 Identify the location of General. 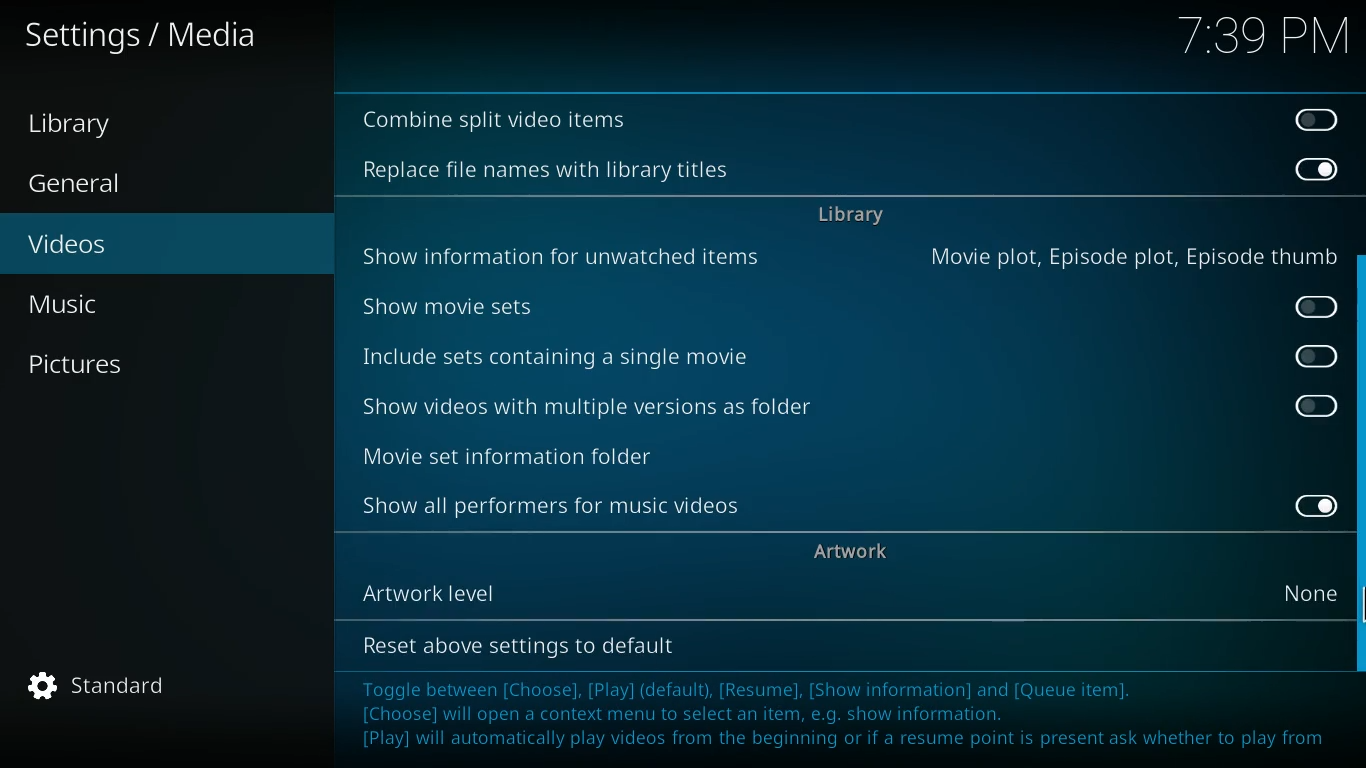
(98, 185).